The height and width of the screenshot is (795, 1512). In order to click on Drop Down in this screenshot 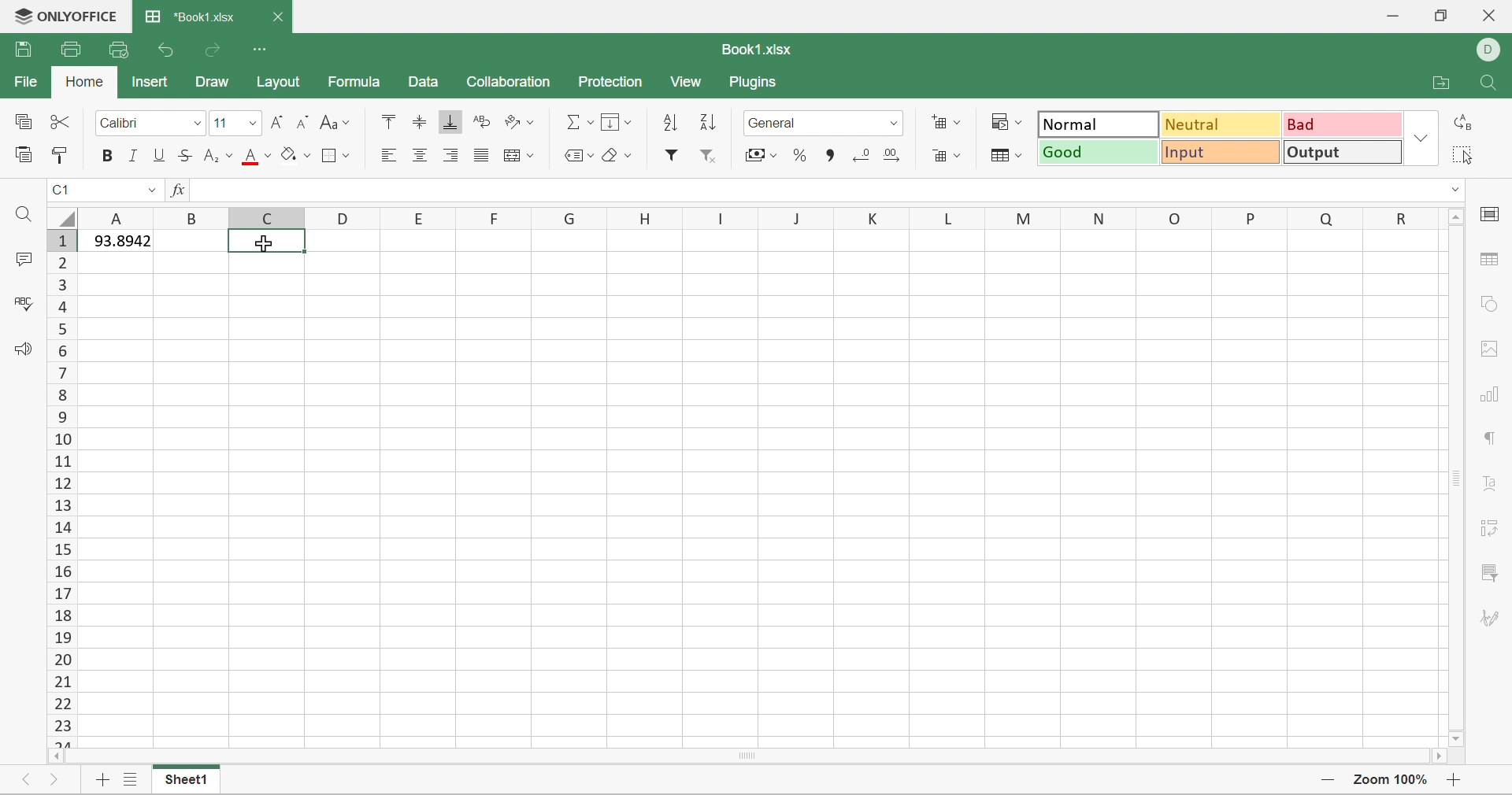, I will do `click(196, 122)`.